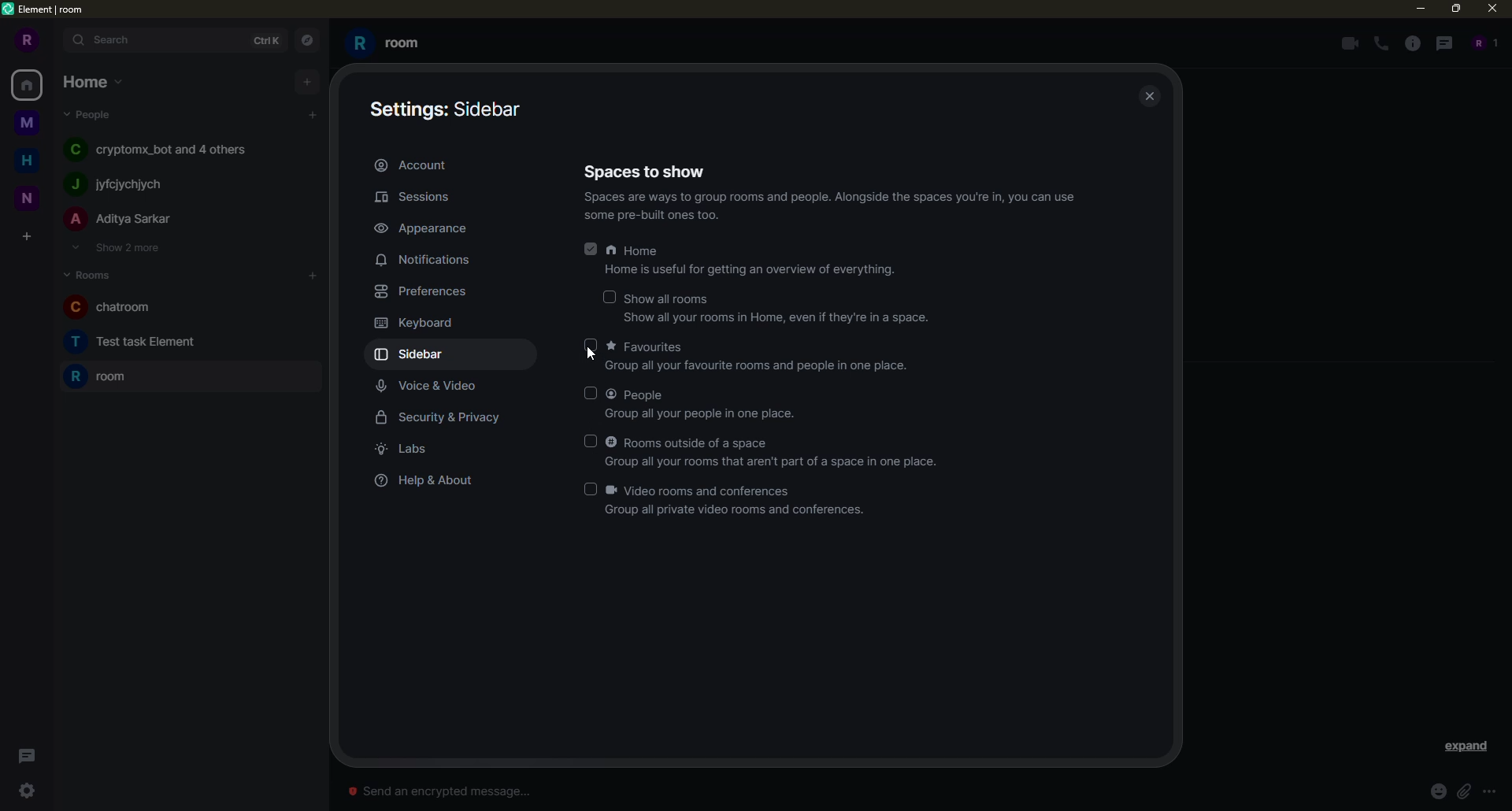 The height and width of the screenshot is (811, 1512). What do you see at coordinates (313, 113) in the screenshot?
I see `add` at bounding box center [313, 113].